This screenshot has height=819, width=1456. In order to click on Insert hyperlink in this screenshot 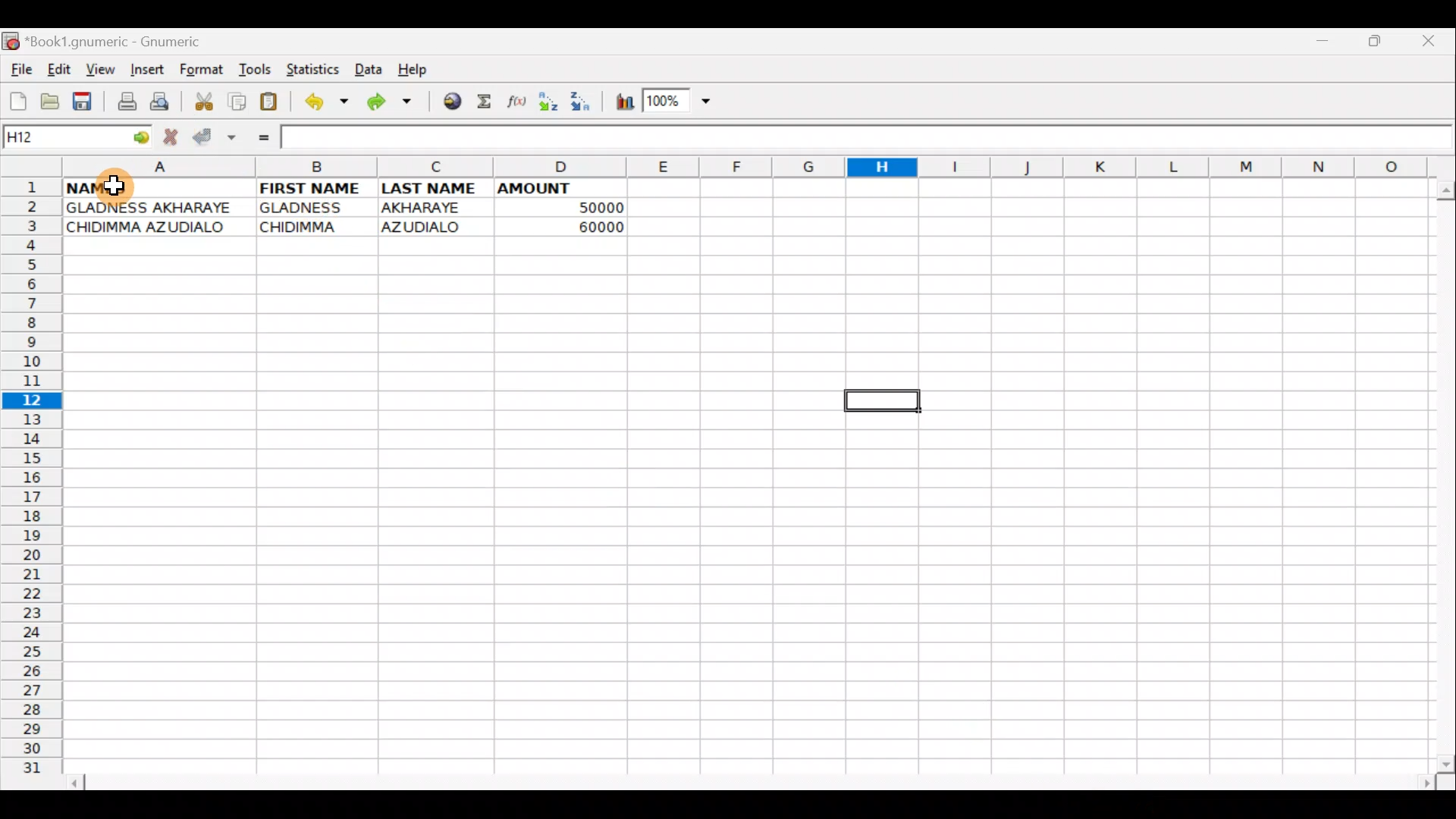, I will do `click(453, 100)`.